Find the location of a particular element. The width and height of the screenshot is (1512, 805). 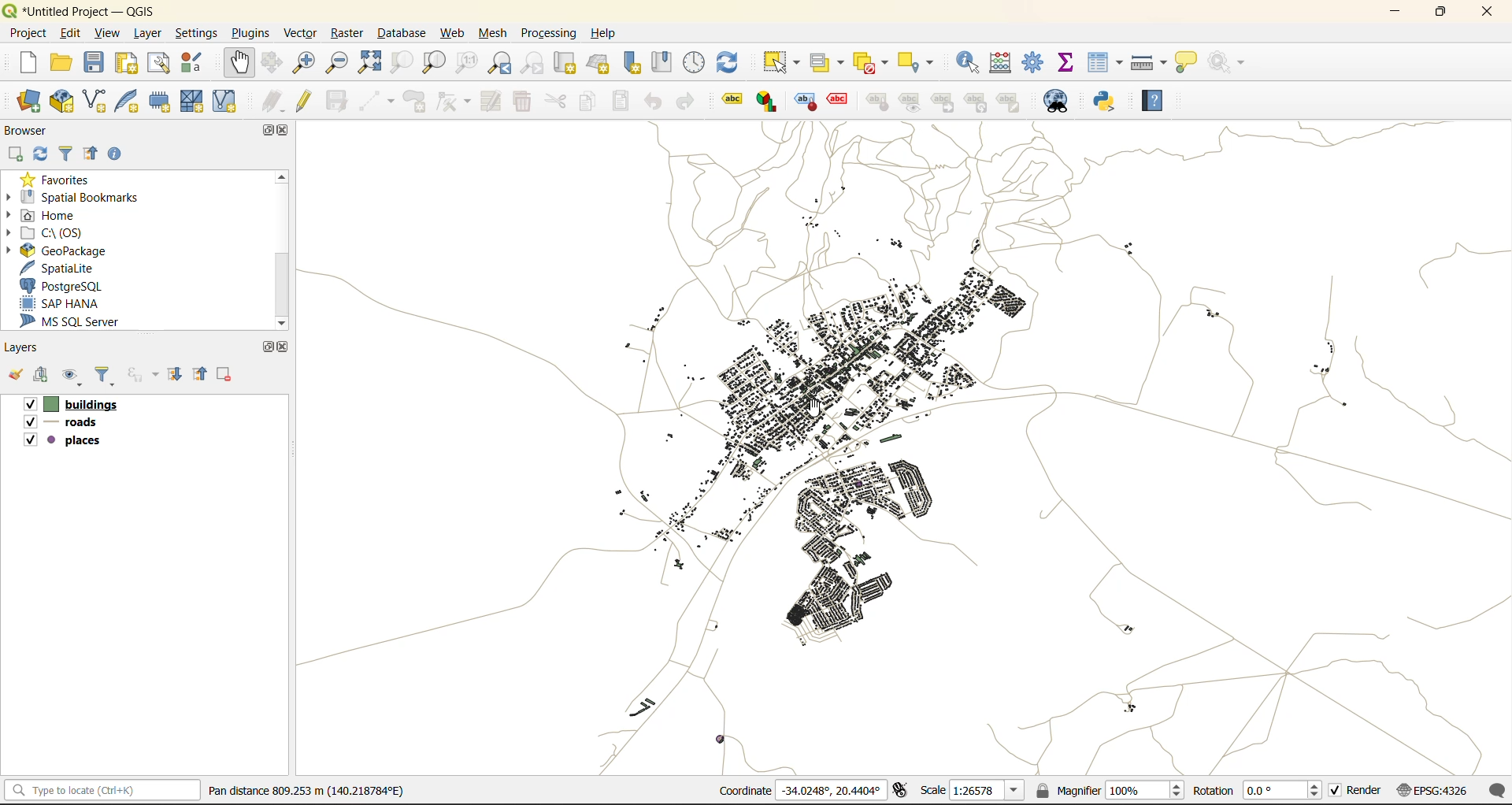

mesh is located at coordinates (496, 33).